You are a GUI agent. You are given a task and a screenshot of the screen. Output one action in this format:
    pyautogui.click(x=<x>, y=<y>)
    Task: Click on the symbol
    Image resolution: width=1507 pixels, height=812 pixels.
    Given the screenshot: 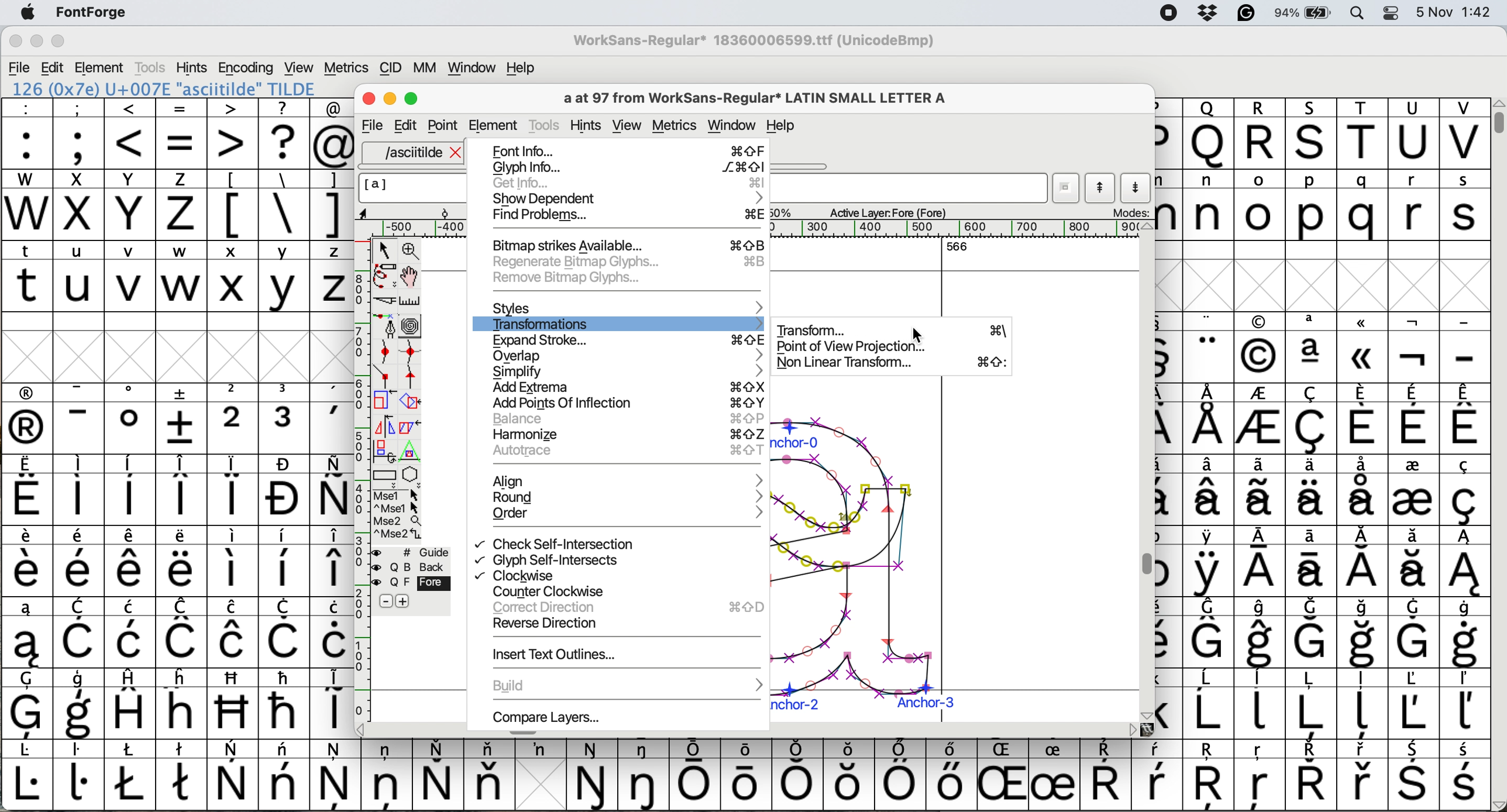 What is the action you would take?
    pyautogui.click(x=332, y=419)
    